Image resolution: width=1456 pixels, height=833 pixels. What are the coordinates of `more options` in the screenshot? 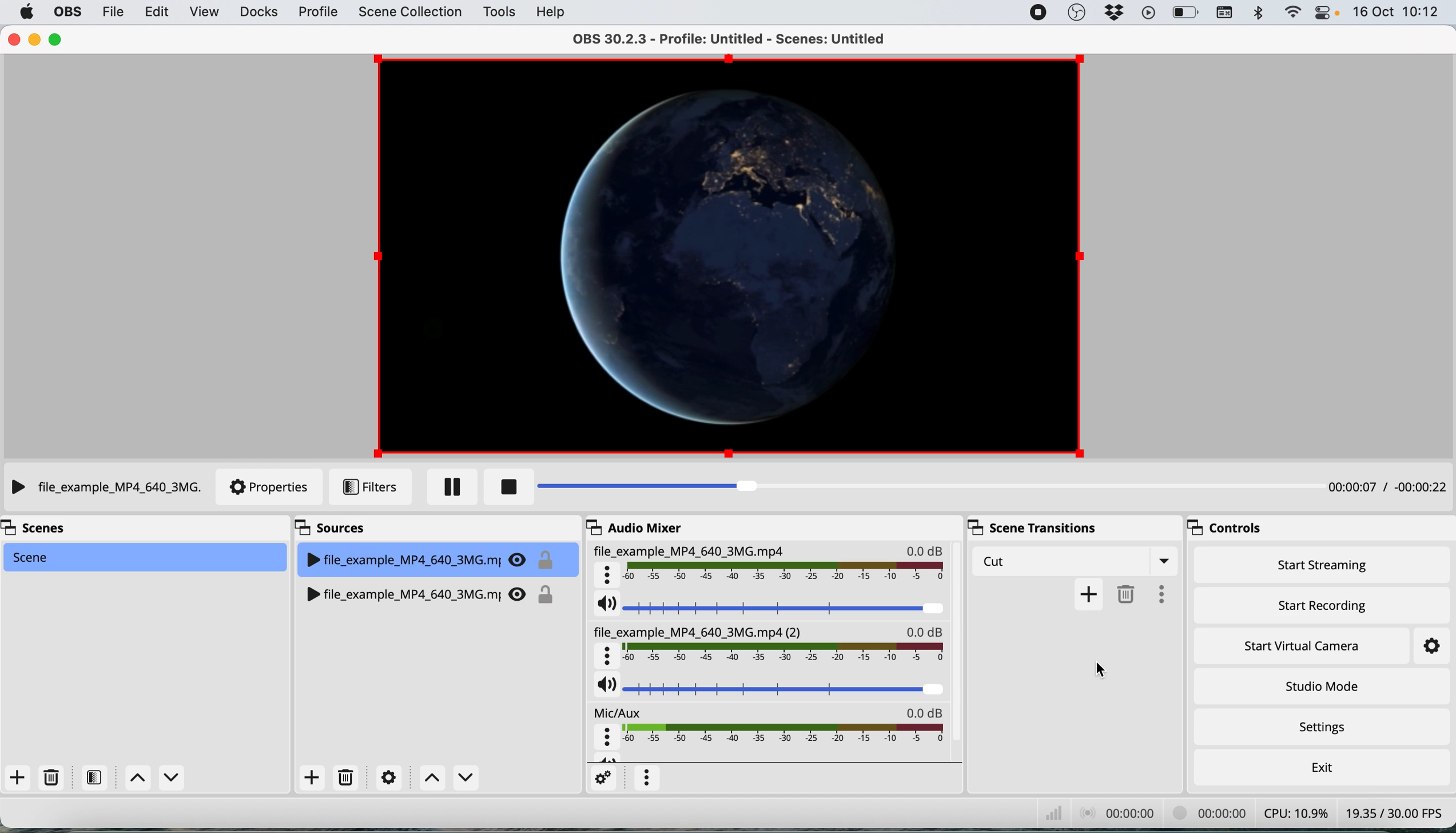 It's located at (1160, 594).